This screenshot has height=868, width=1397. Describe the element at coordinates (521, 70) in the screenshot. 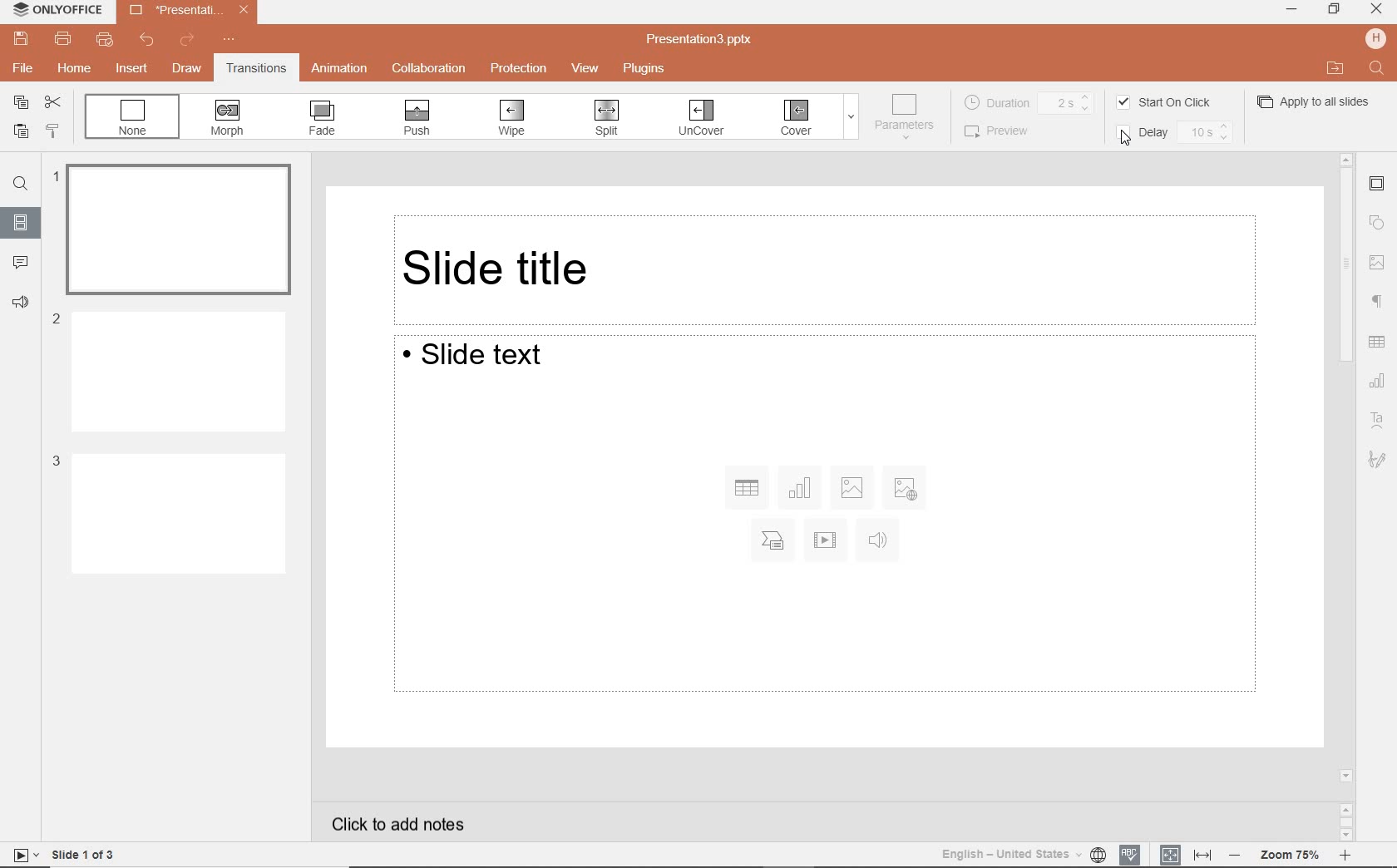

I see `protection` at that location.